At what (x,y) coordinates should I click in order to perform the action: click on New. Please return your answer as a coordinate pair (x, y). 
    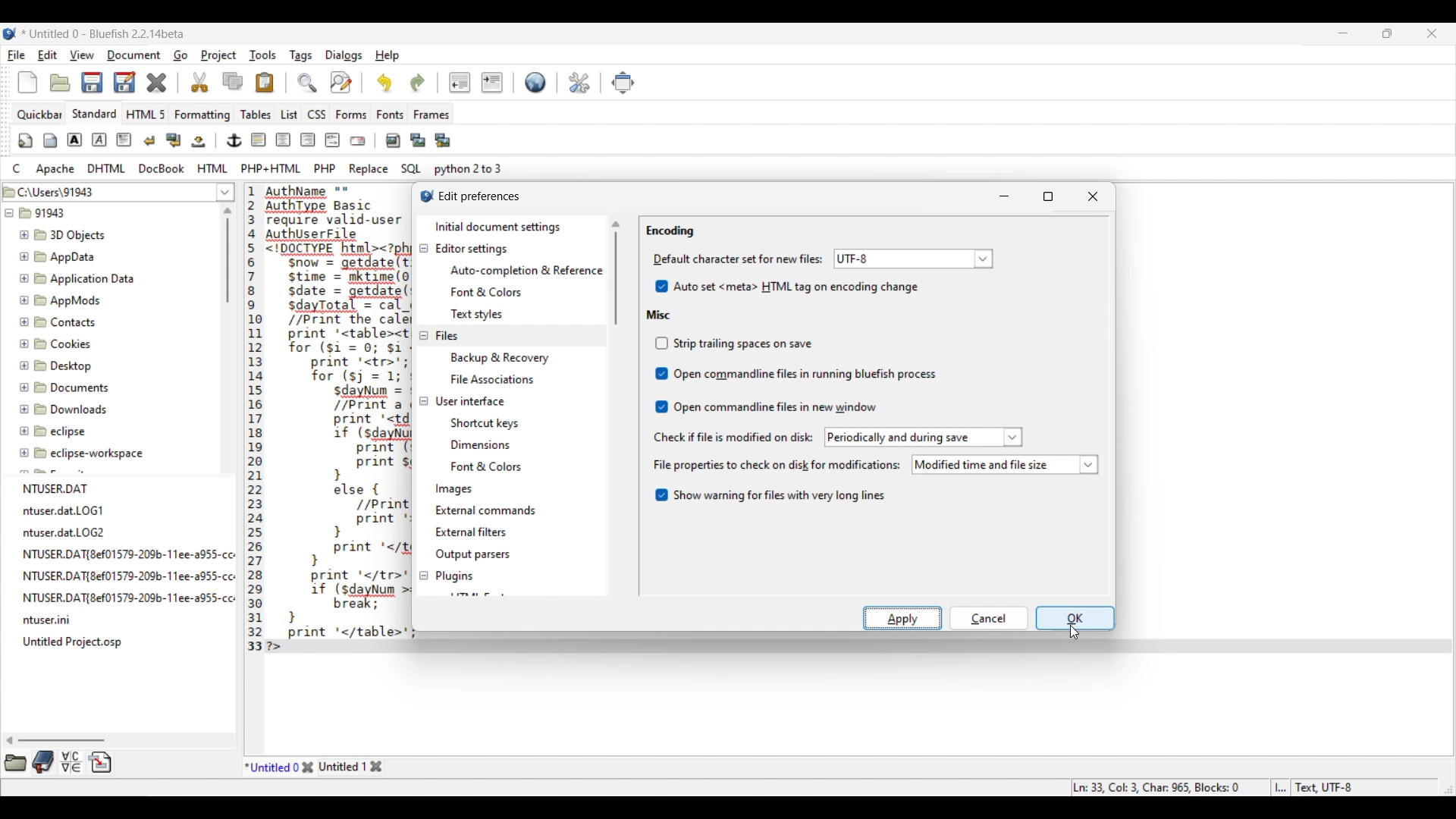
    Looking at the image, I should click on (27, 82).